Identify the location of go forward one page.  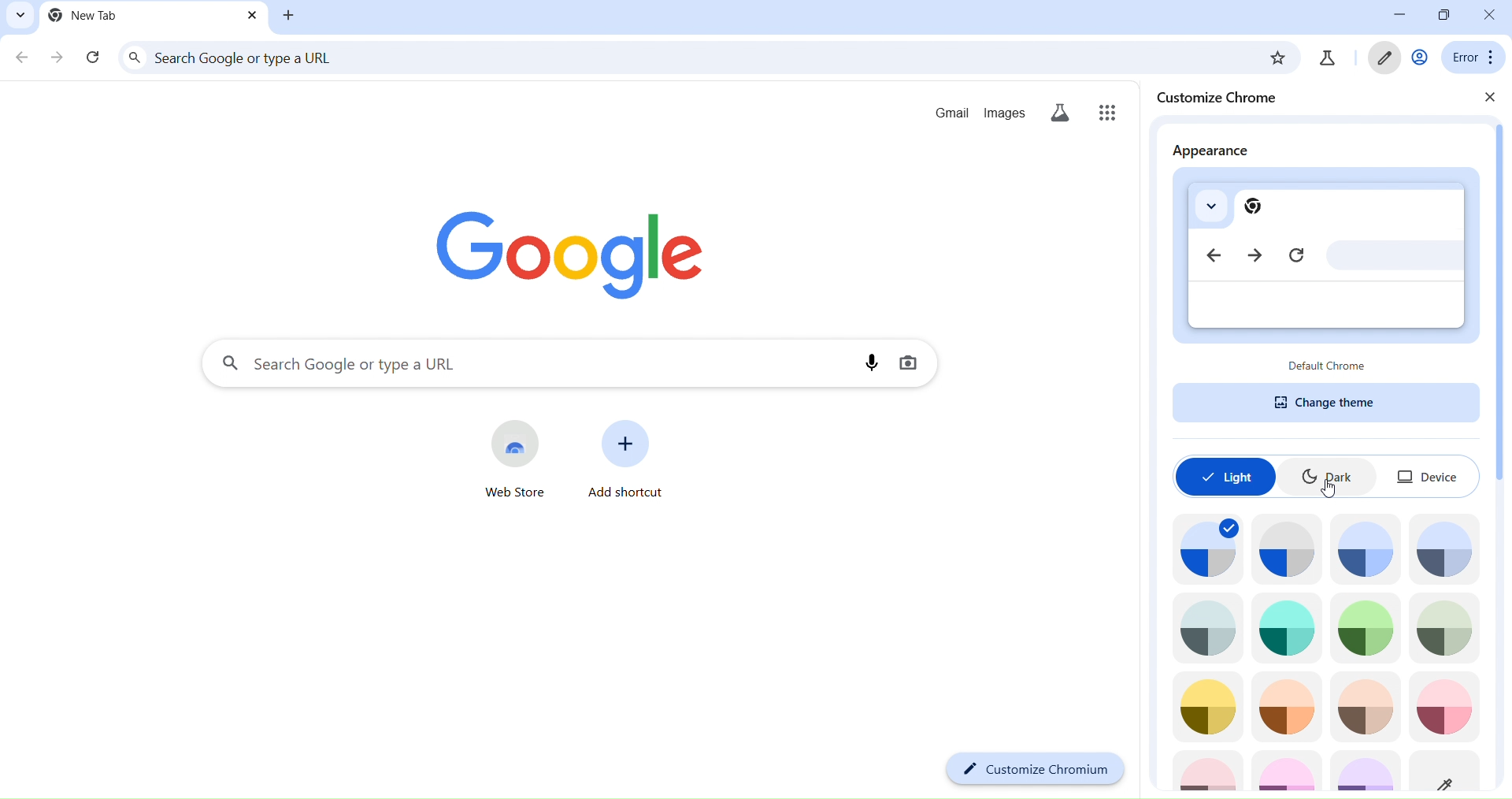
(60, 58).